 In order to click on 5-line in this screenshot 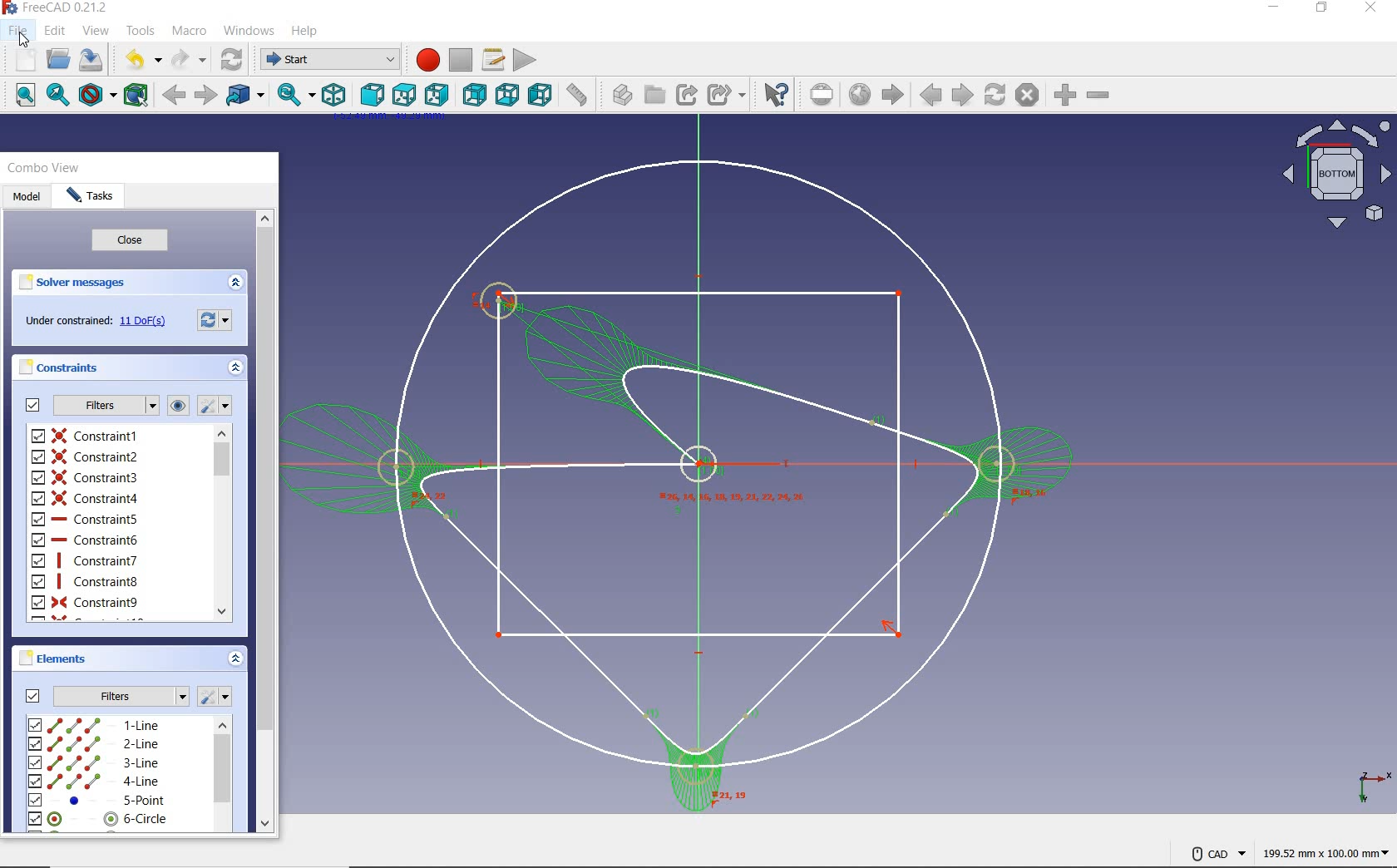, I will do `click(98, 801)`.